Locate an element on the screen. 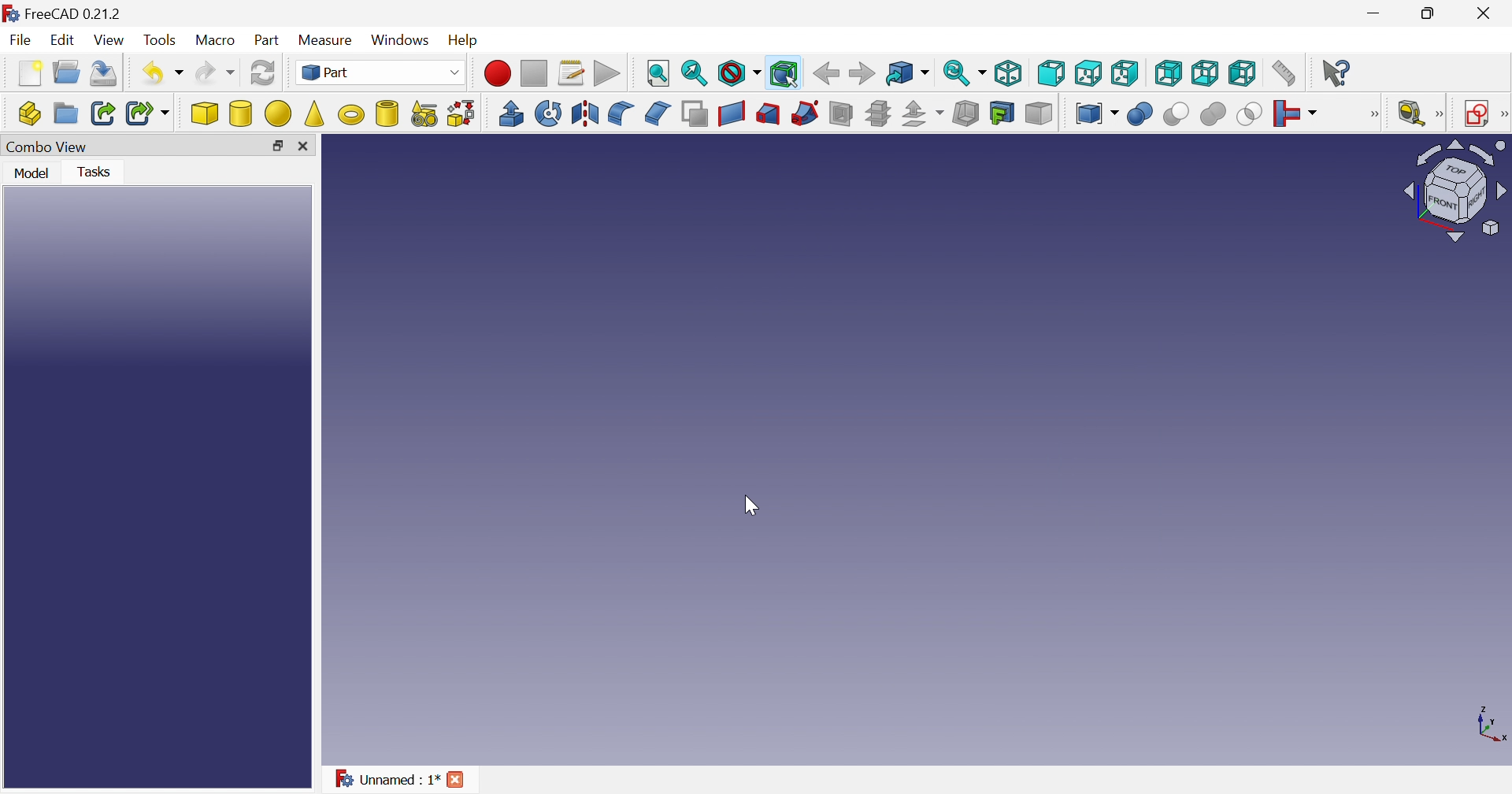 This screenshot has height=794, width=1512. Measure liner is located at coordinates (1410, 114).